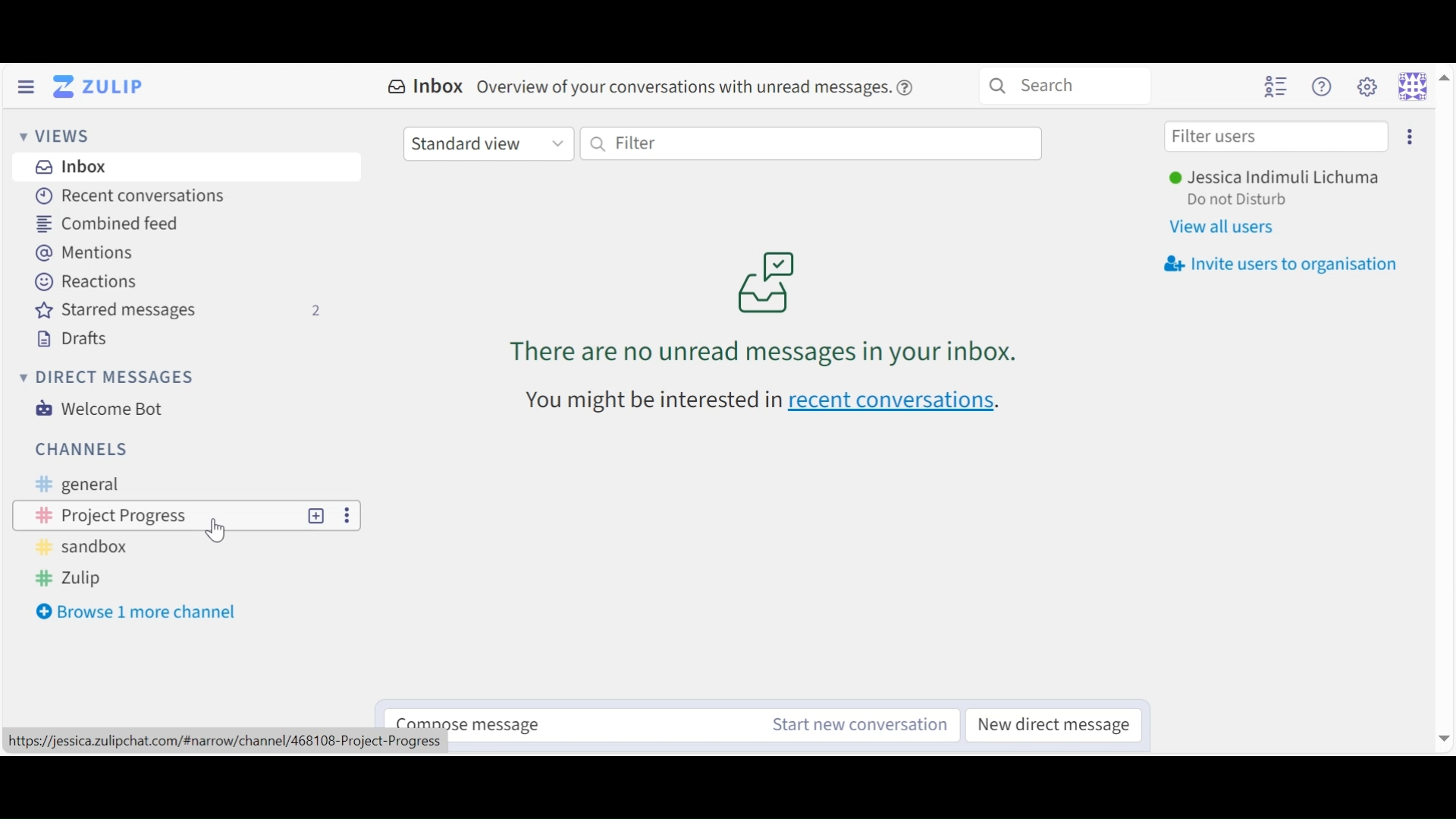 The width and height of the screenshot is (1456, 819). Describe the element at coordinates (1414, 137) in the screenshot. I see `settings` at that location.